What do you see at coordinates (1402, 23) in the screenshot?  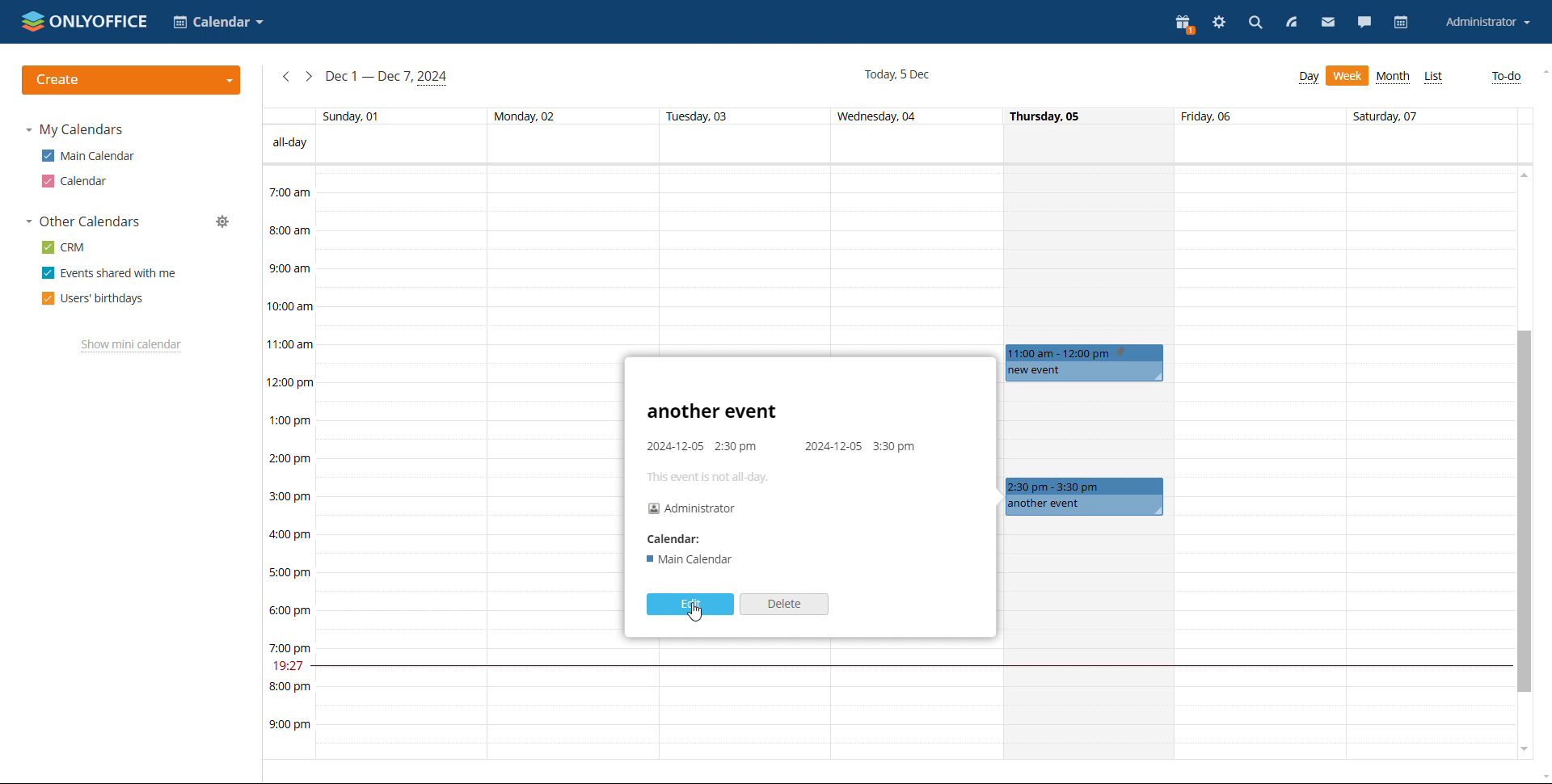 I see `calendar` at bounding box center [1402, 23].